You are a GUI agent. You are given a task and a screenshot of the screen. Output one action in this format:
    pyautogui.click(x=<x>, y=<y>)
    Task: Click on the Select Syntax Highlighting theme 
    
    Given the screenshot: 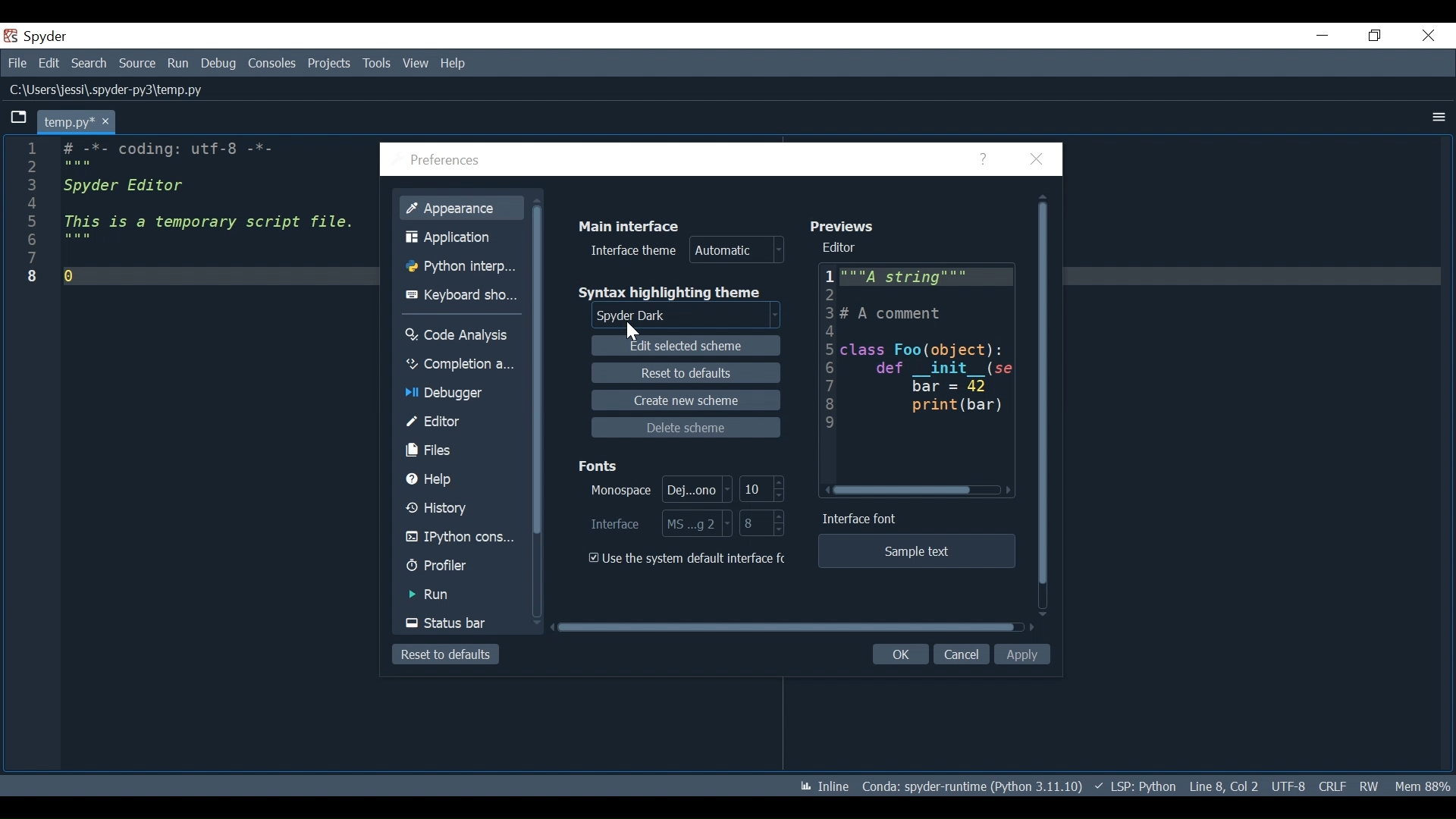 What is the action you would take?
    pyautogui.click(x=686, y=317)
    